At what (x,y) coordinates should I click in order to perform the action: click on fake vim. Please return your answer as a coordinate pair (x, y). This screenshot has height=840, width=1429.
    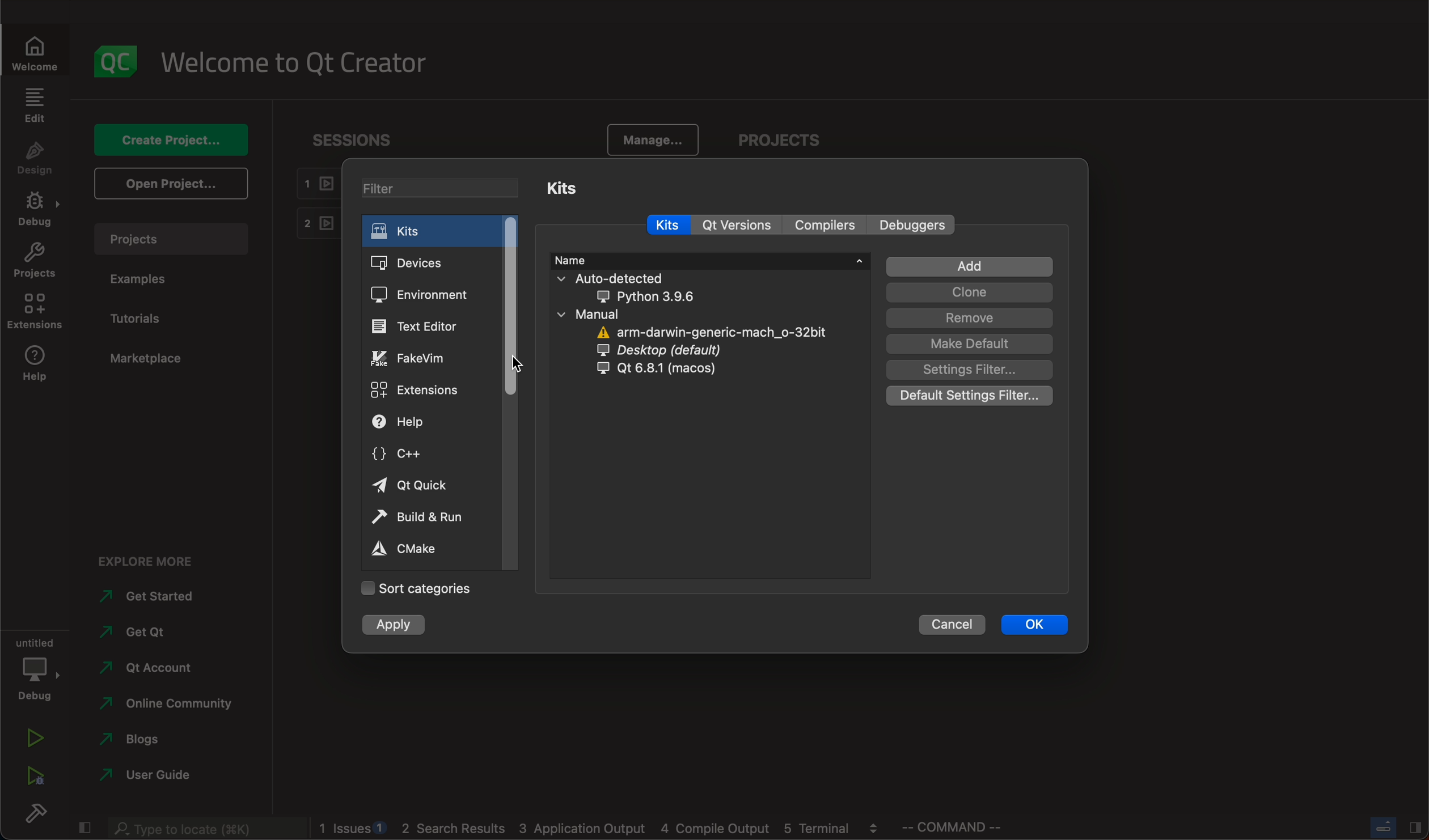
    Looking at the image, I should click on (421, 358).